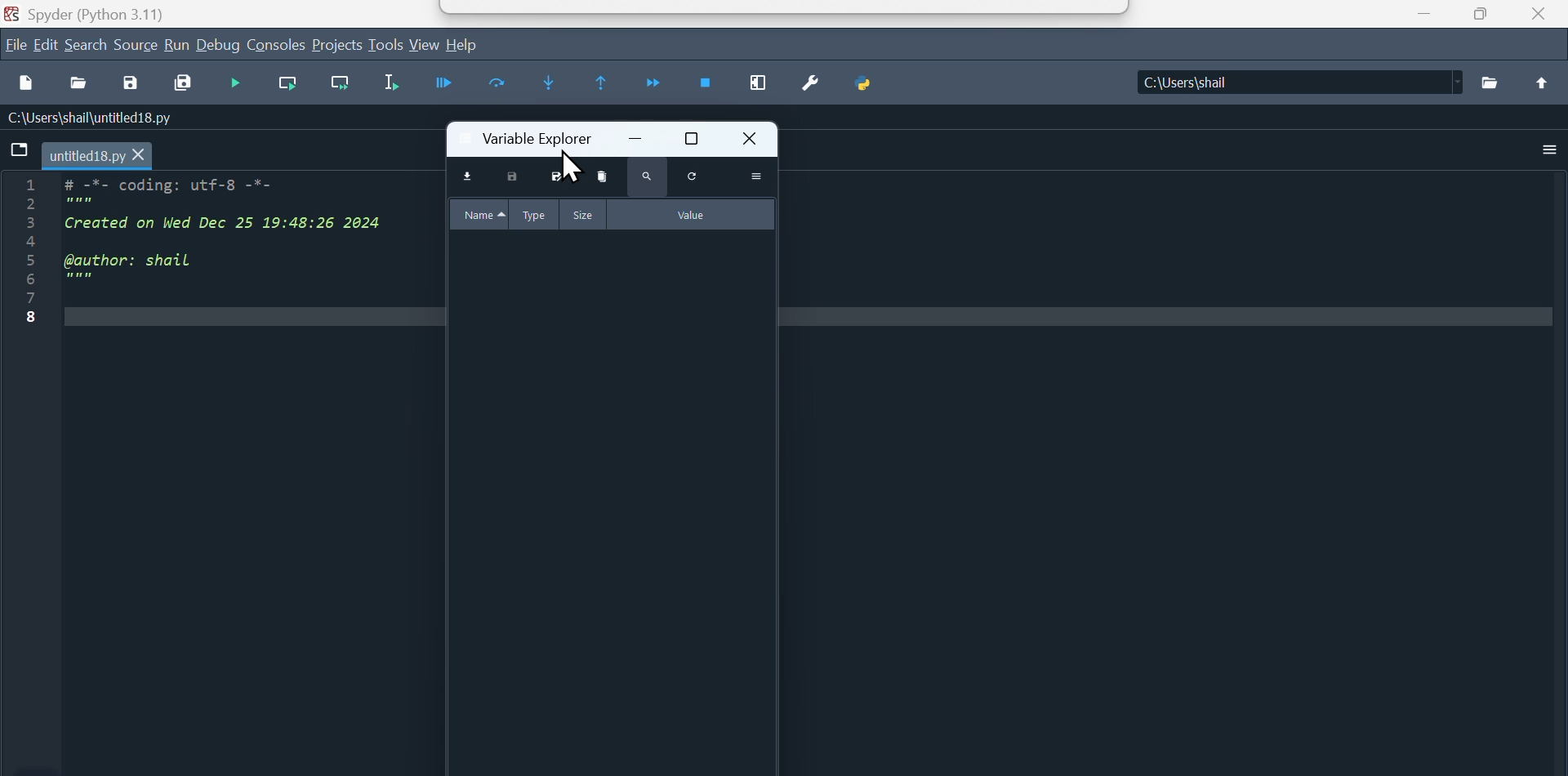  I want to click on Projects, so click(339, 45).